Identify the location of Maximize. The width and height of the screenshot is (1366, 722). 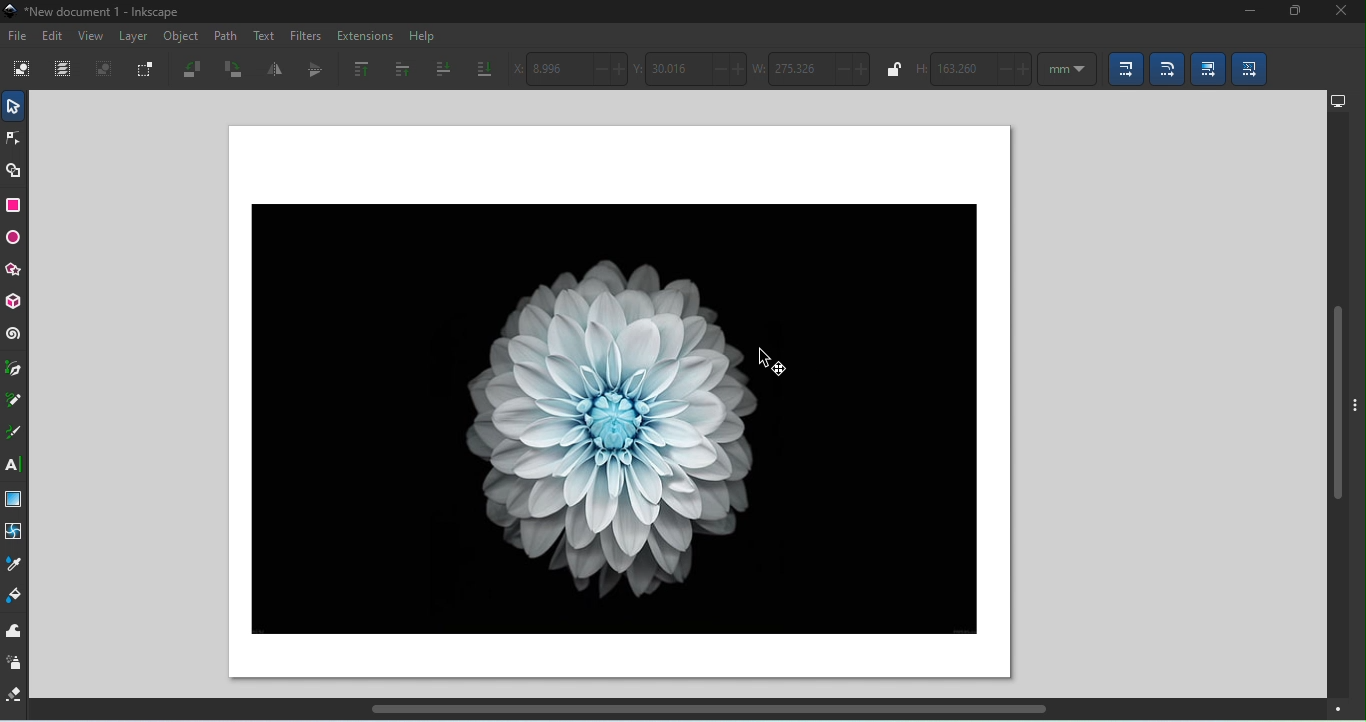
(1291, 13).